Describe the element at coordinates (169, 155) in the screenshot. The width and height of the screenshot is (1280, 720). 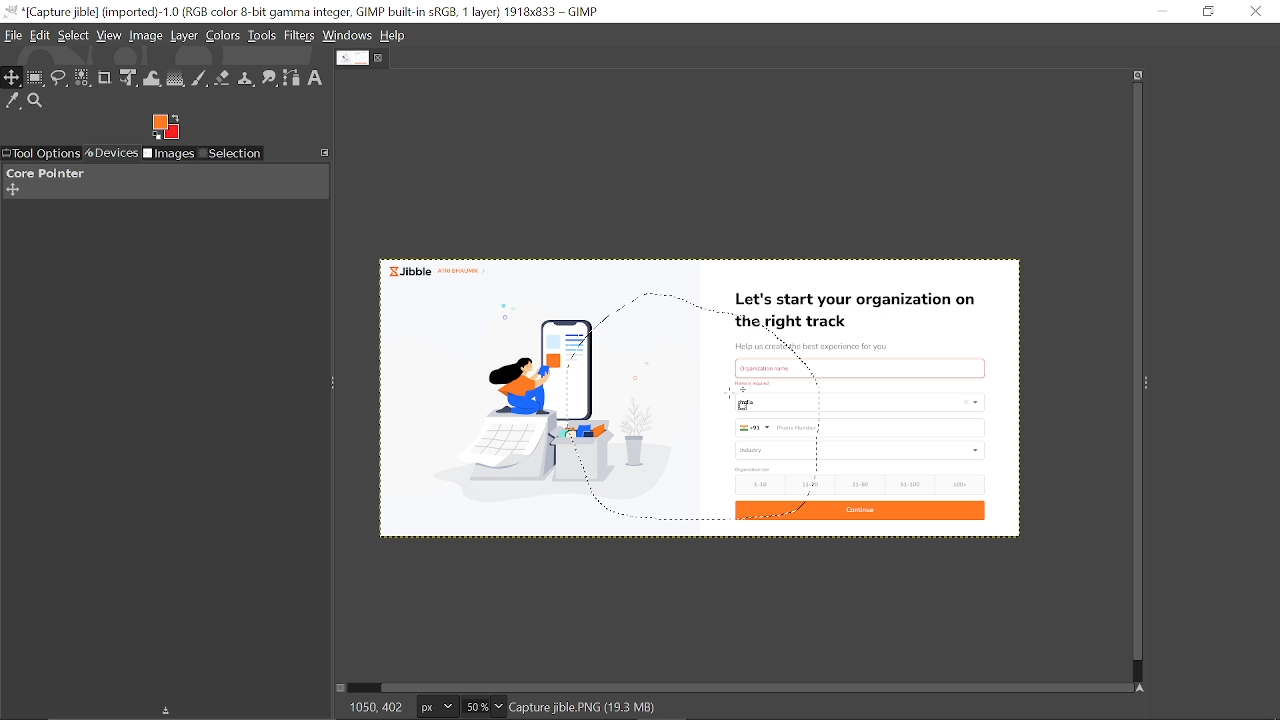
I see `images` at that location.